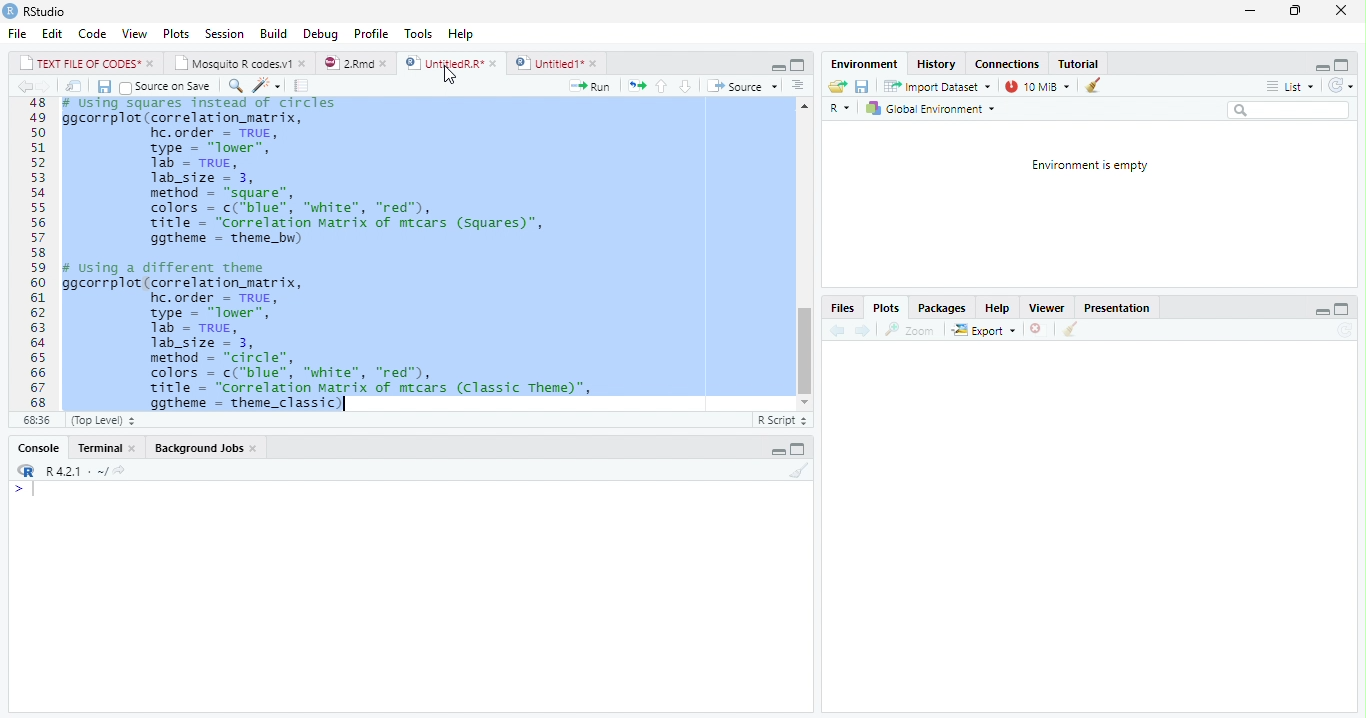 The height and width of the screenshot is (718, 1366). What do you see at coordinates (100, 420) in the screenshot?
I see `(Top Level)` at bounding box center [100, 420].